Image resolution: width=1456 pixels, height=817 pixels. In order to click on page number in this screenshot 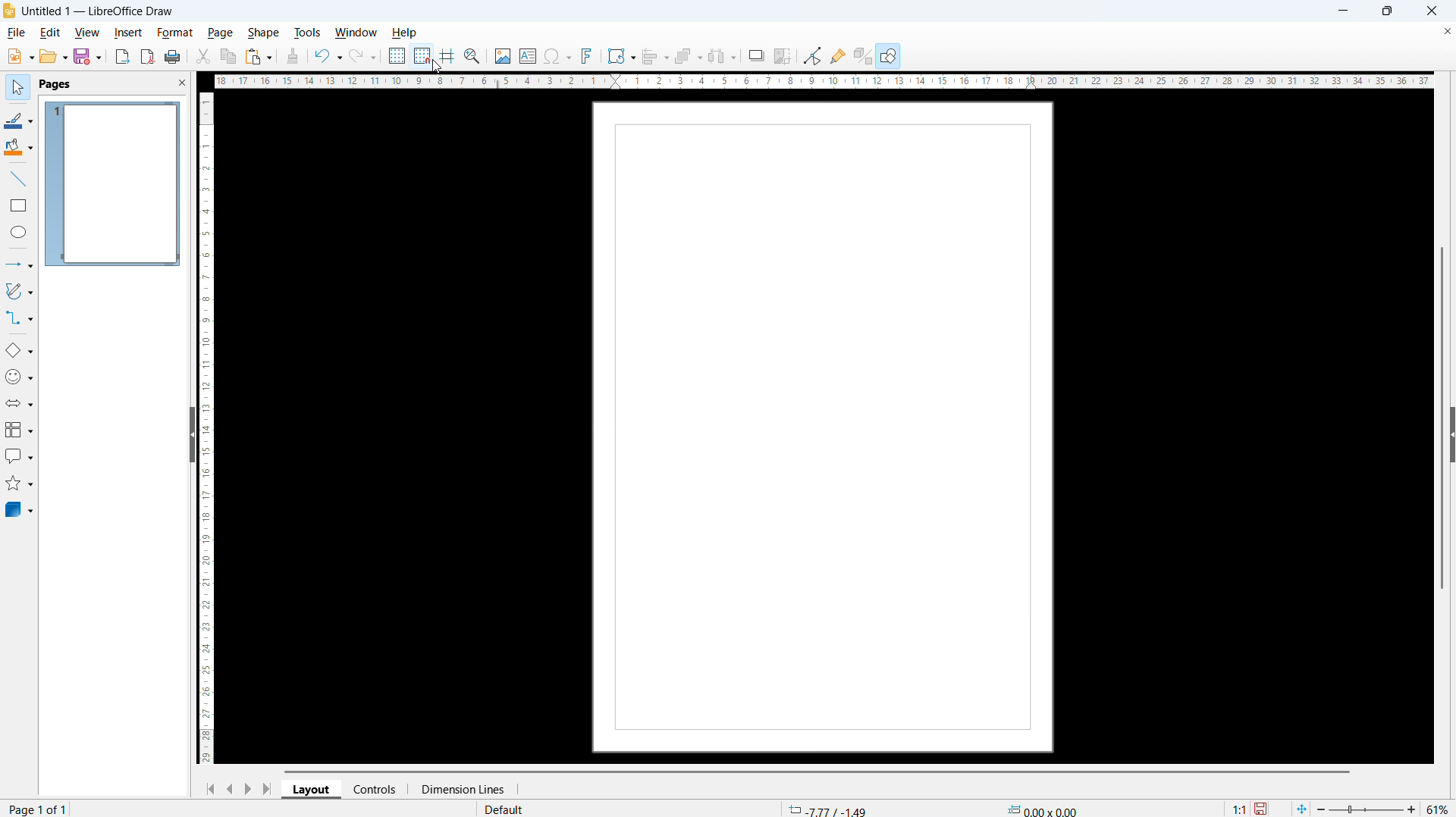, I will do `click(40, 808)`.